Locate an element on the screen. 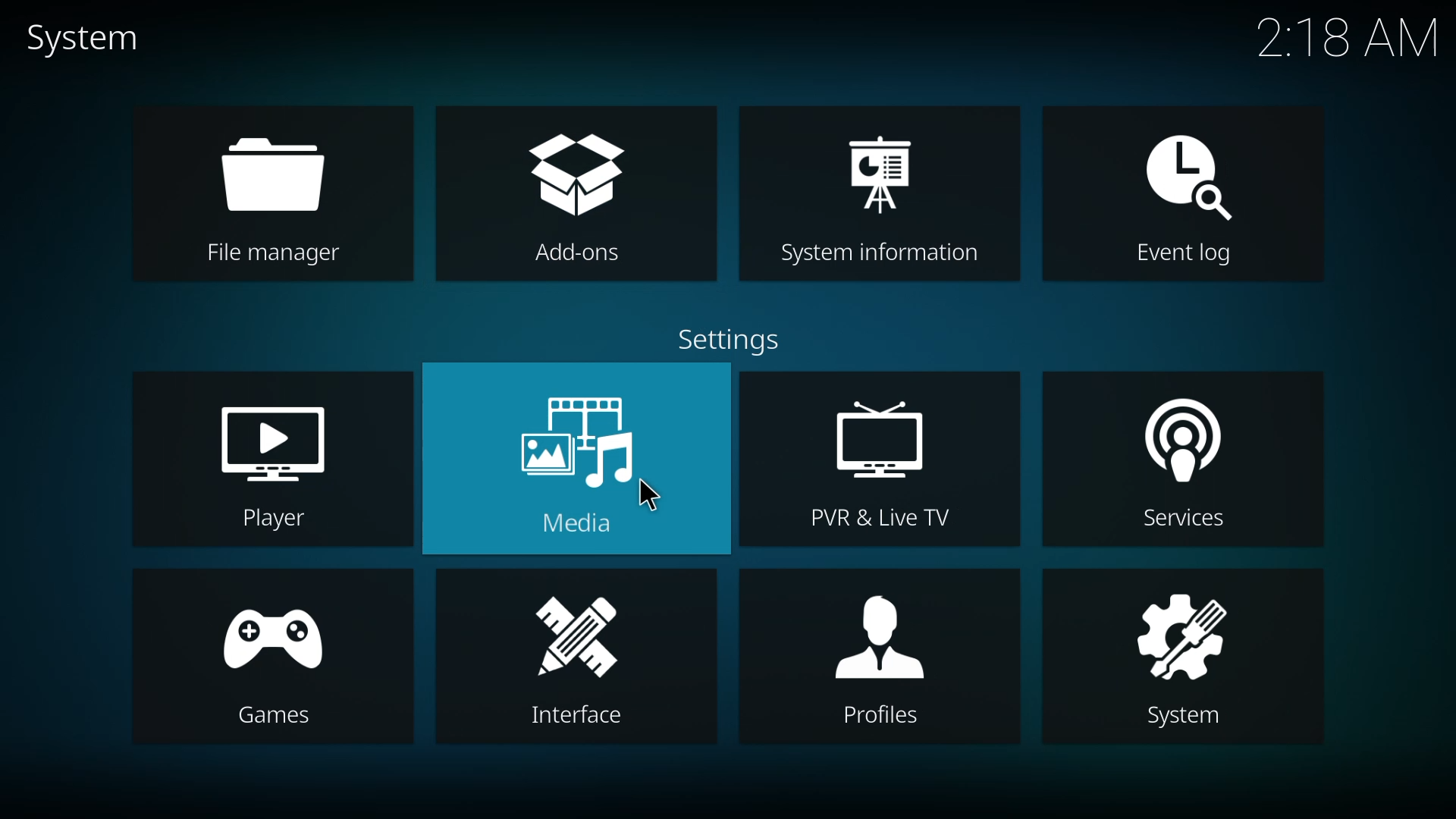  games is located at coordinates (262, 661).